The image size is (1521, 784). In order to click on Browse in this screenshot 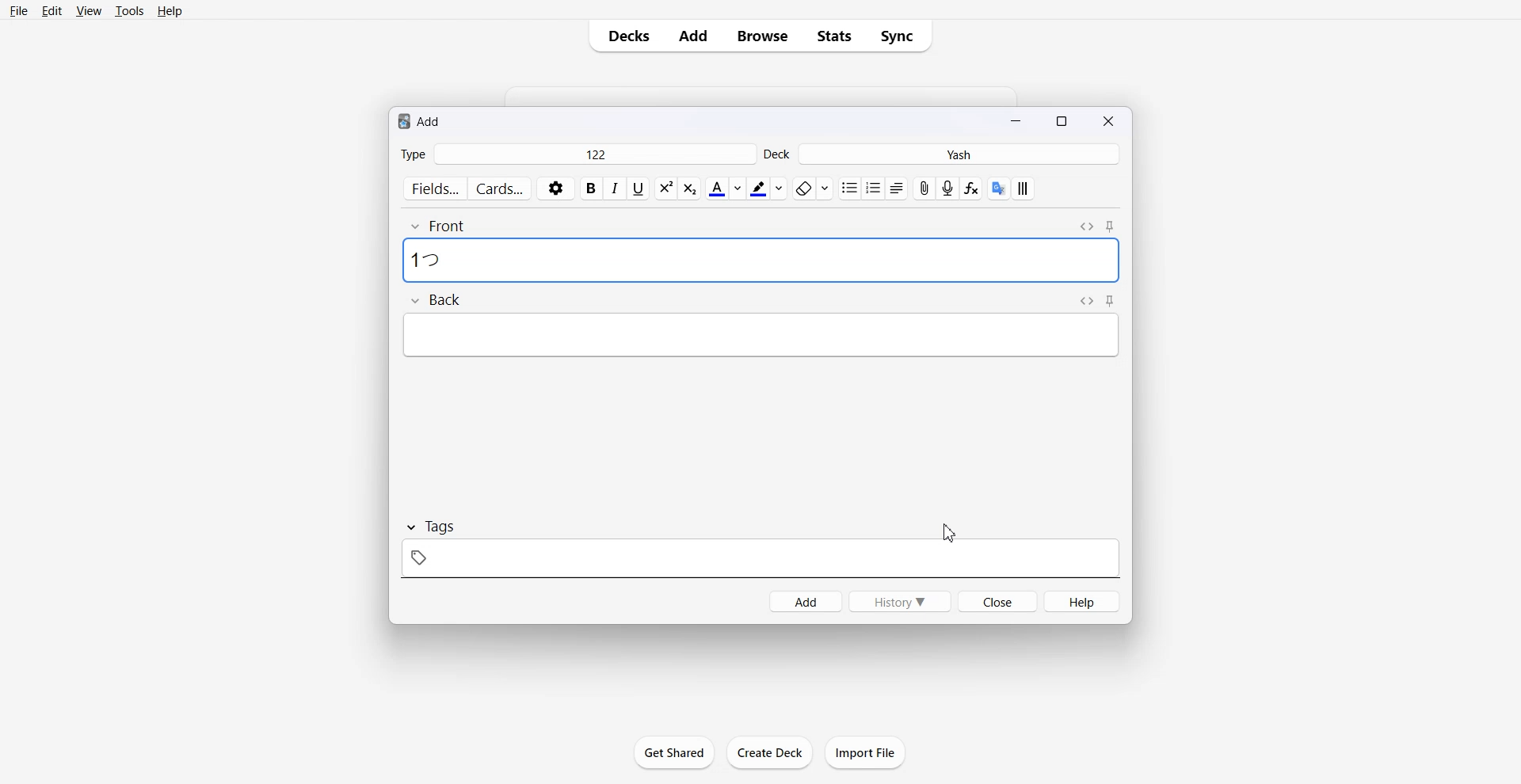, I will do `click(763, 36)`.